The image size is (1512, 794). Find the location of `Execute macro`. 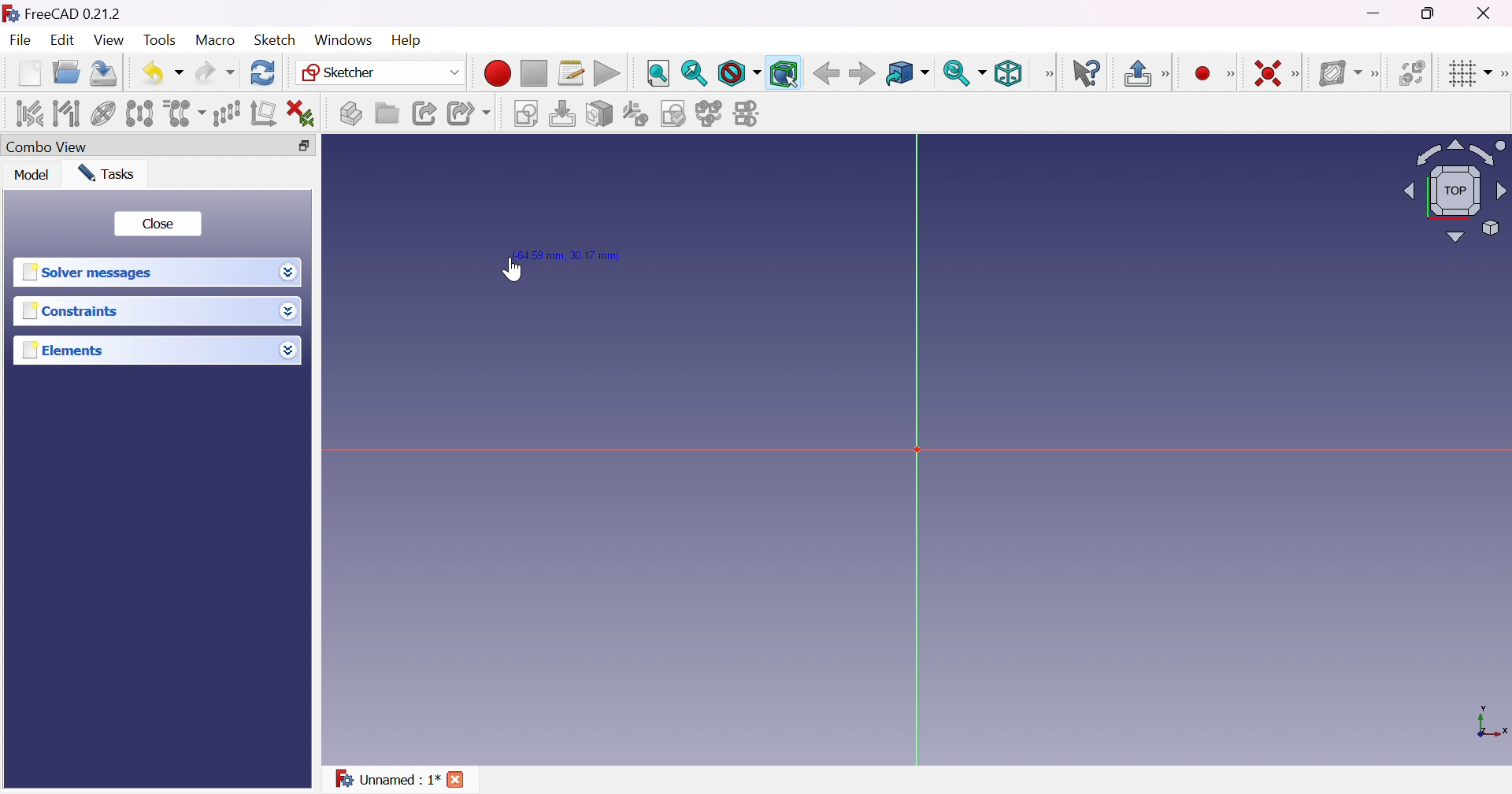

Execute macro is located at coordinates (607, 74).